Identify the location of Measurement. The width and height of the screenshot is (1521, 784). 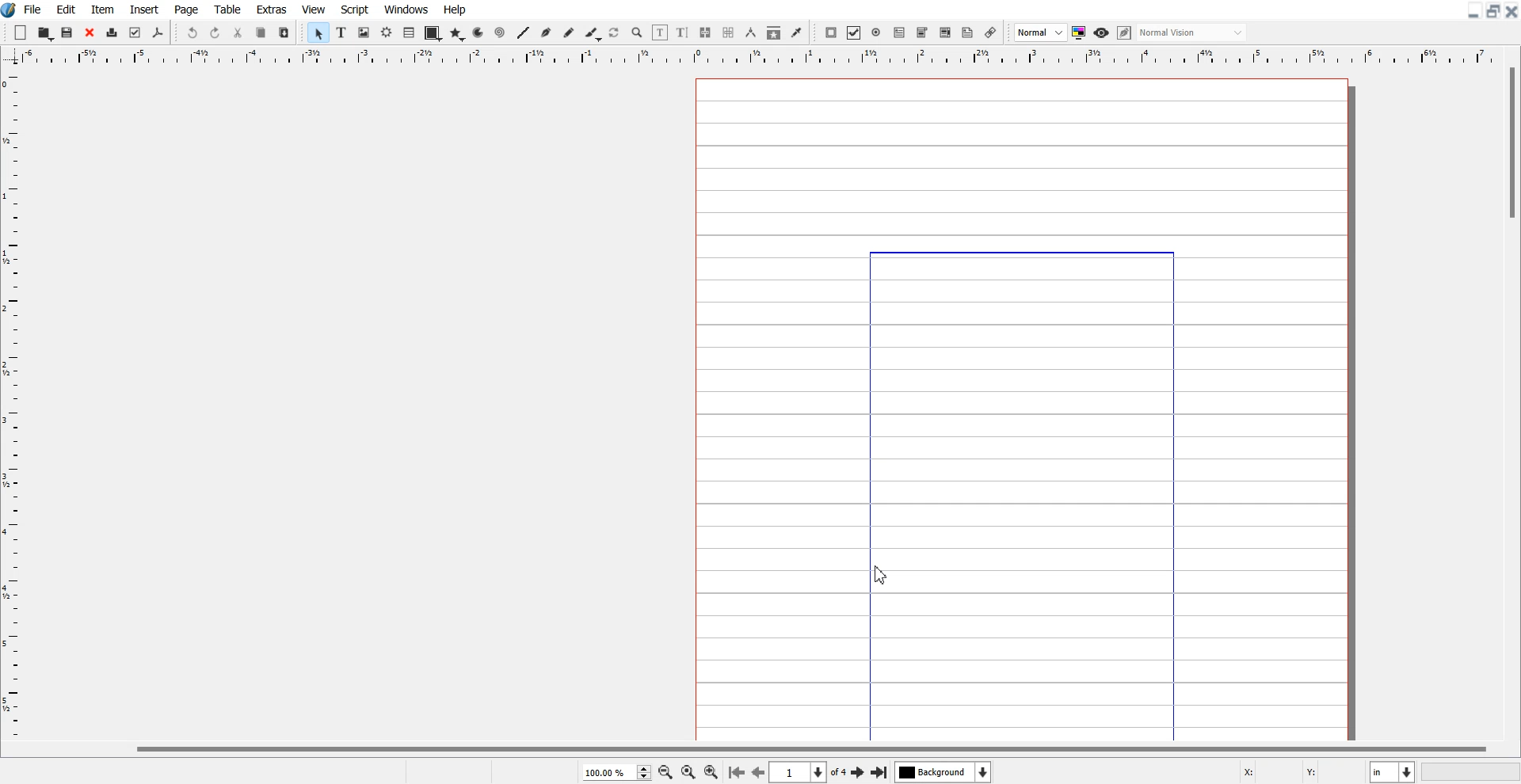
(751, 32).